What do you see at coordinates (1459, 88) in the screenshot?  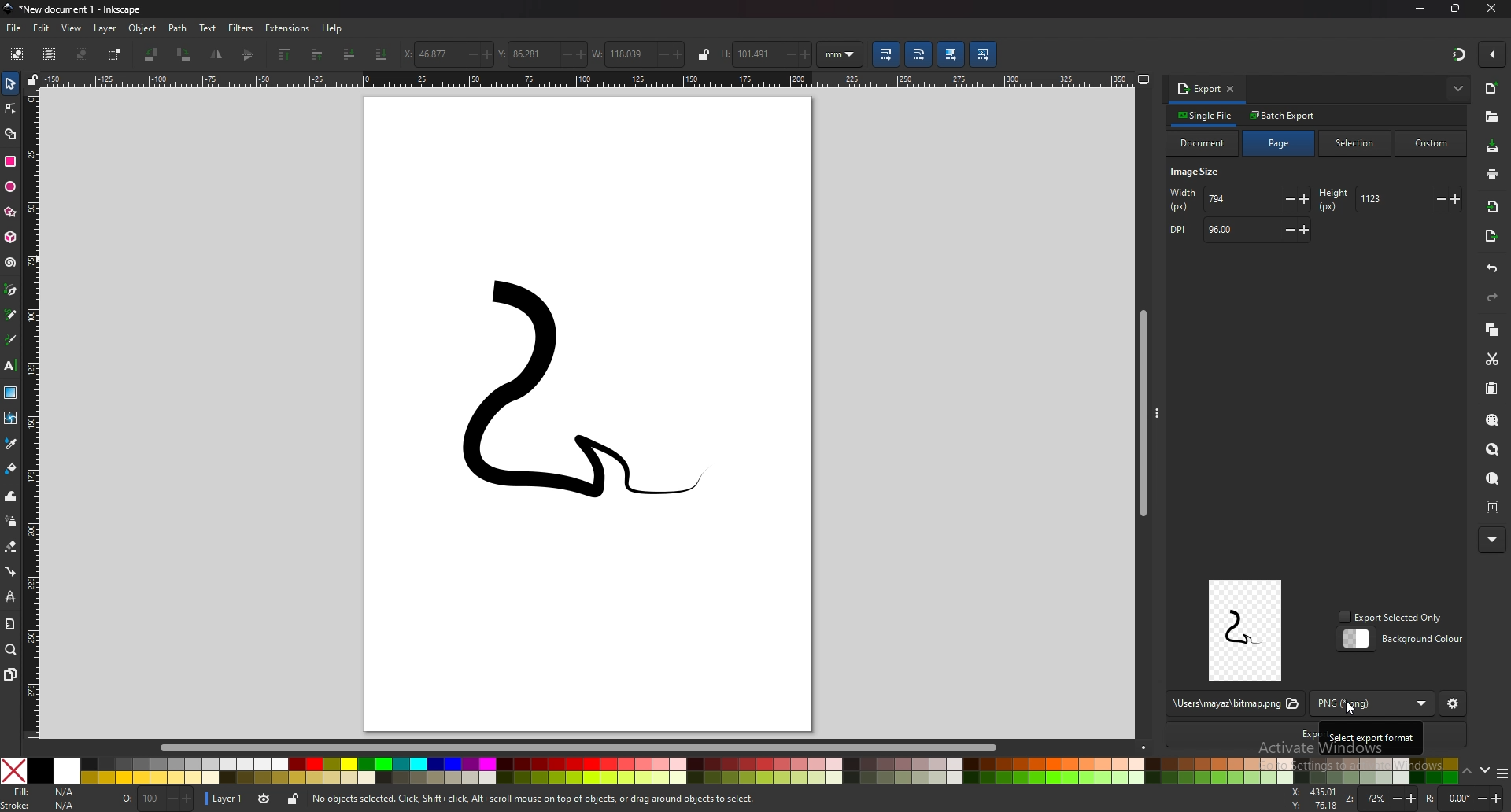 I see `more options` at bounding box center [1459, 88].